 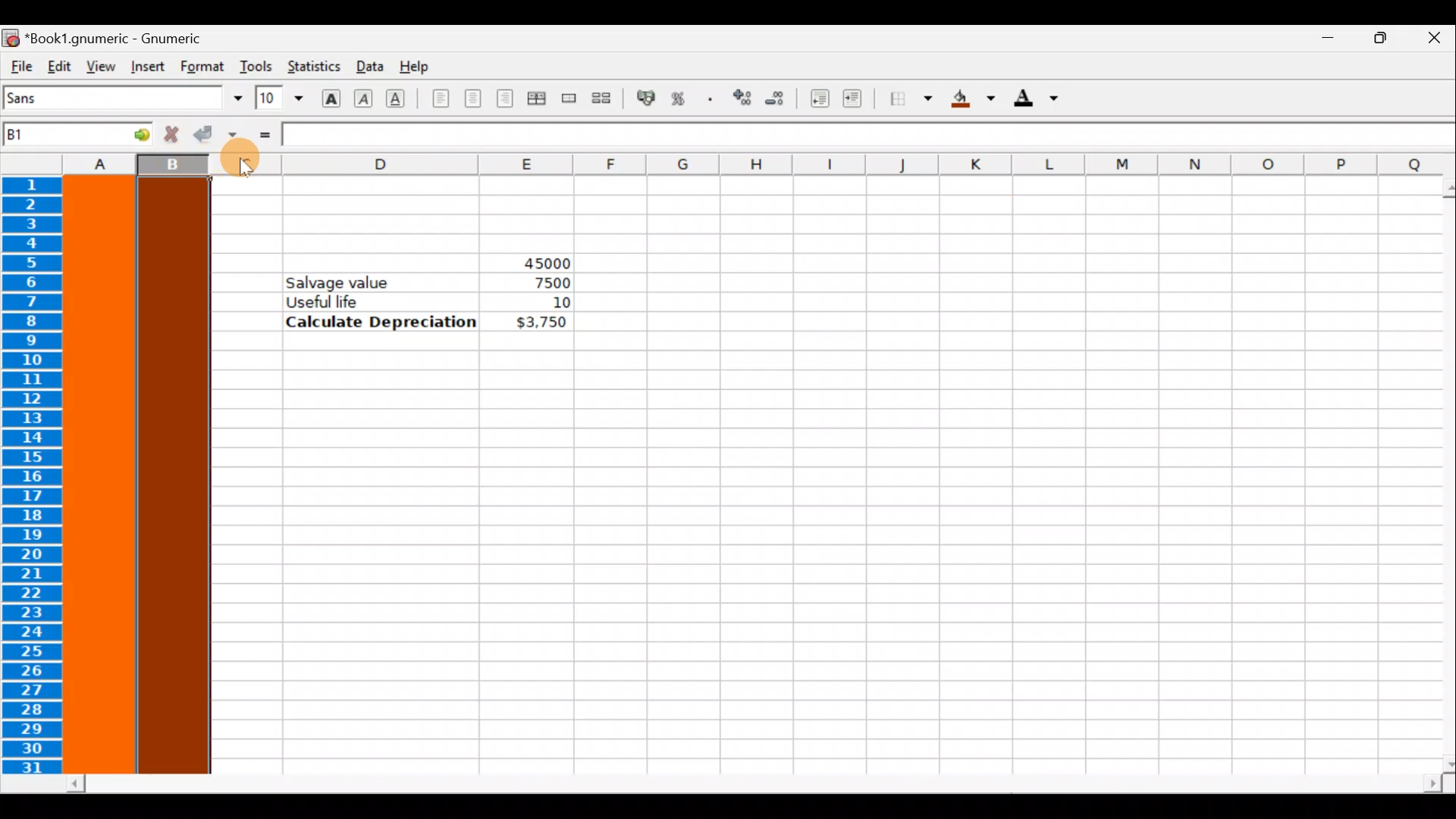 What do you see at coordinates (256, 66) in the screenshot?
I see `Tools` at bounding box center [256, 66].